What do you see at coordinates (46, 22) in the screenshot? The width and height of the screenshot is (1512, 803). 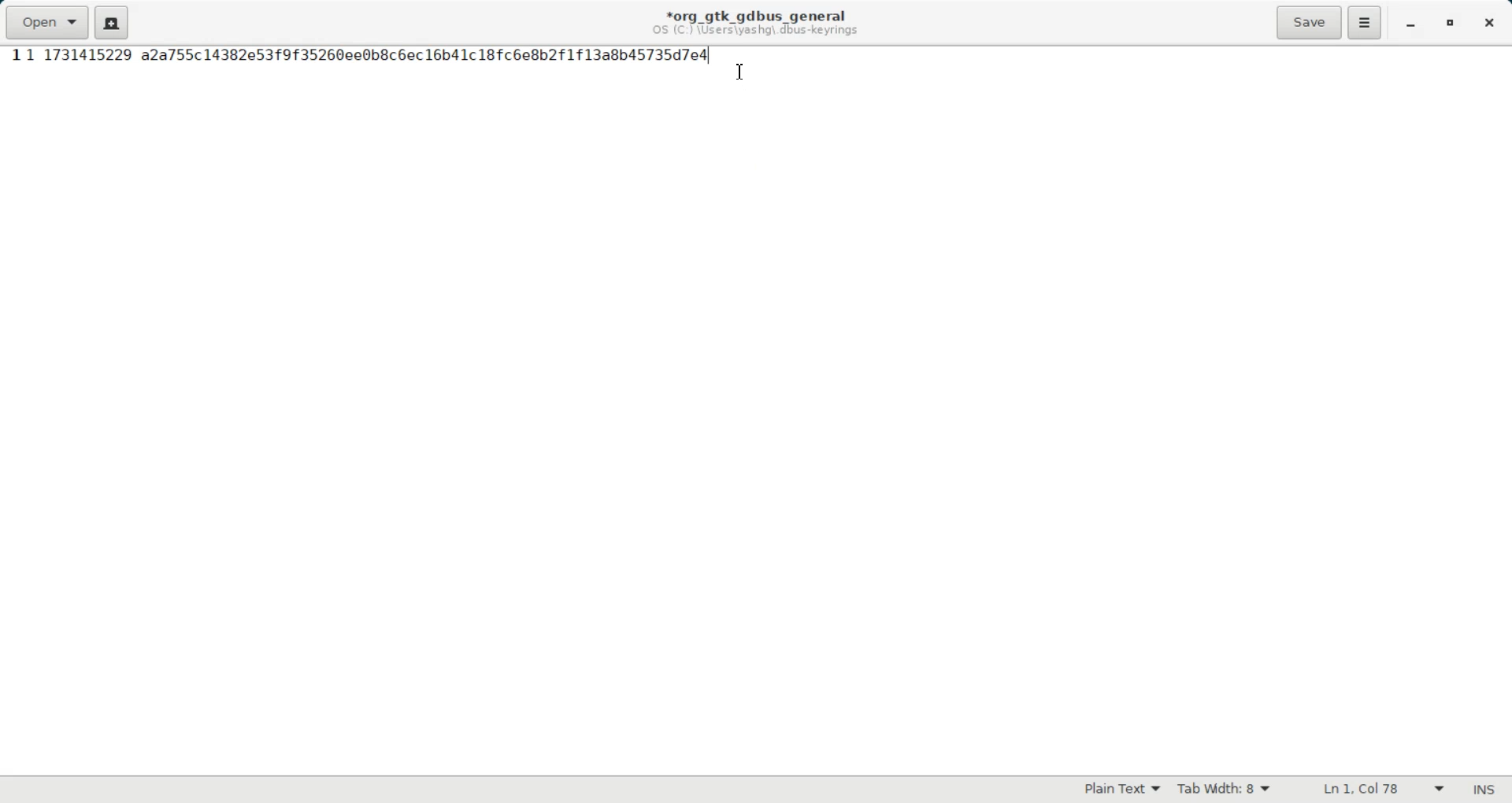 I see `Open a file` at bounding box center [46, 22].